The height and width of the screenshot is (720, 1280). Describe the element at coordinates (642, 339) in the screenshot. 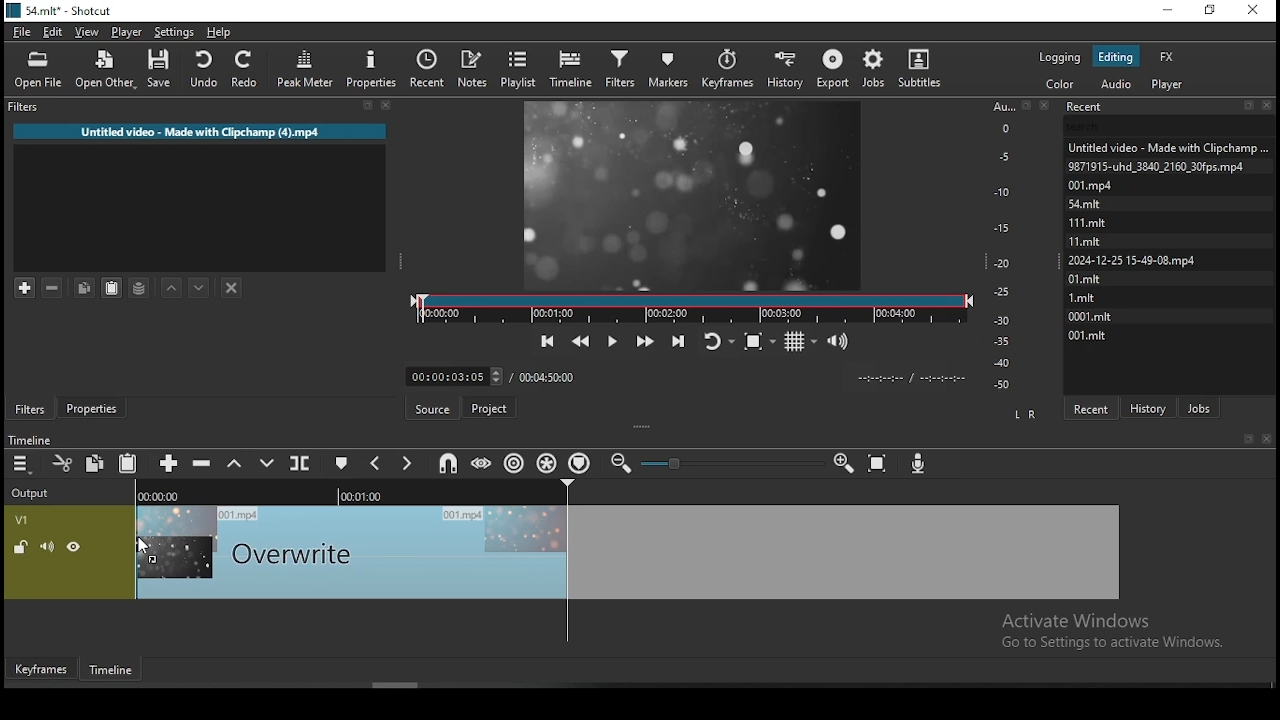

I see `play quickly forwards` at that location.